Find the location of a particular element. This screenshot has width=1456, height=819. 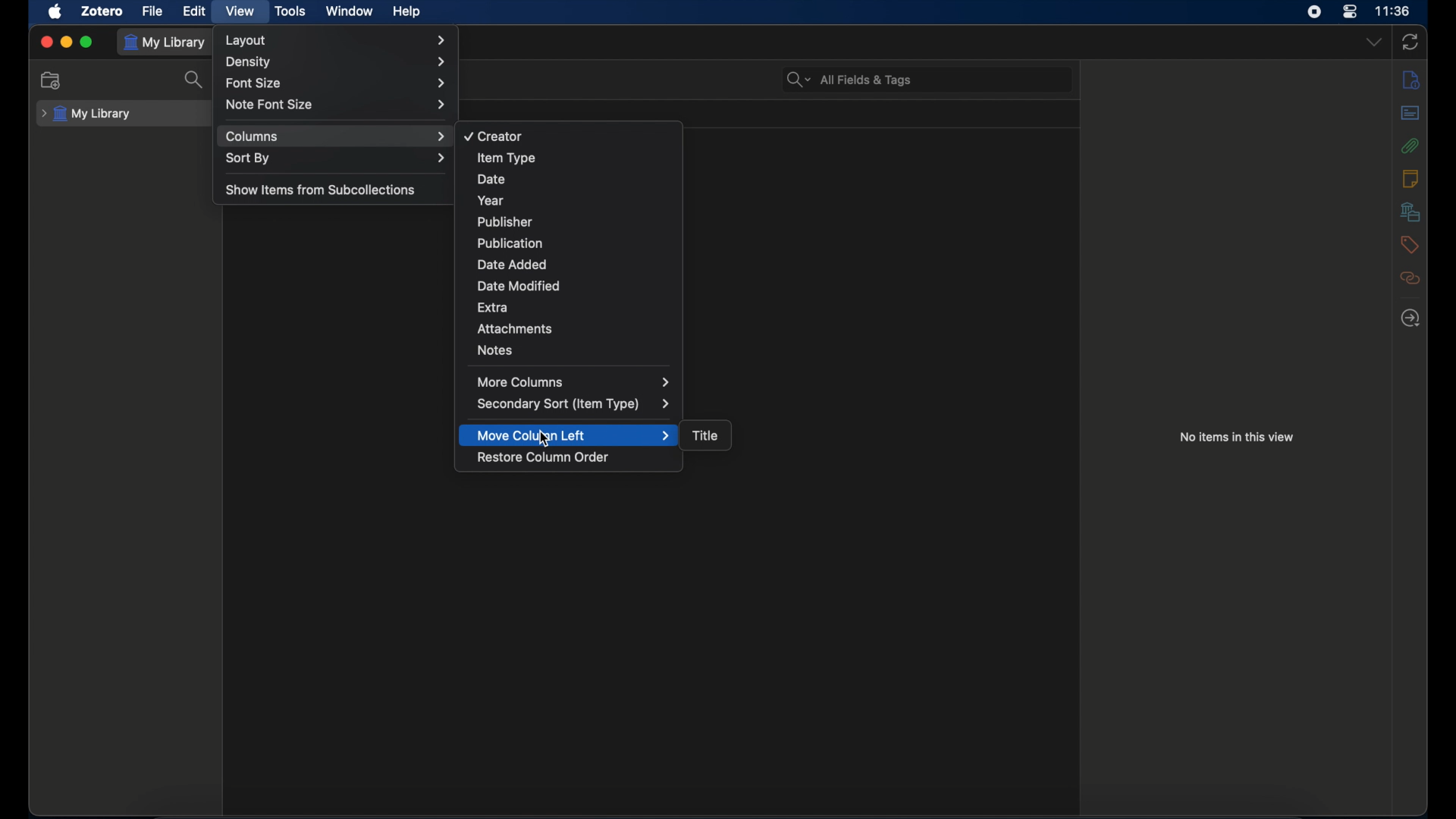

tools is located at coordinates (291, 11).